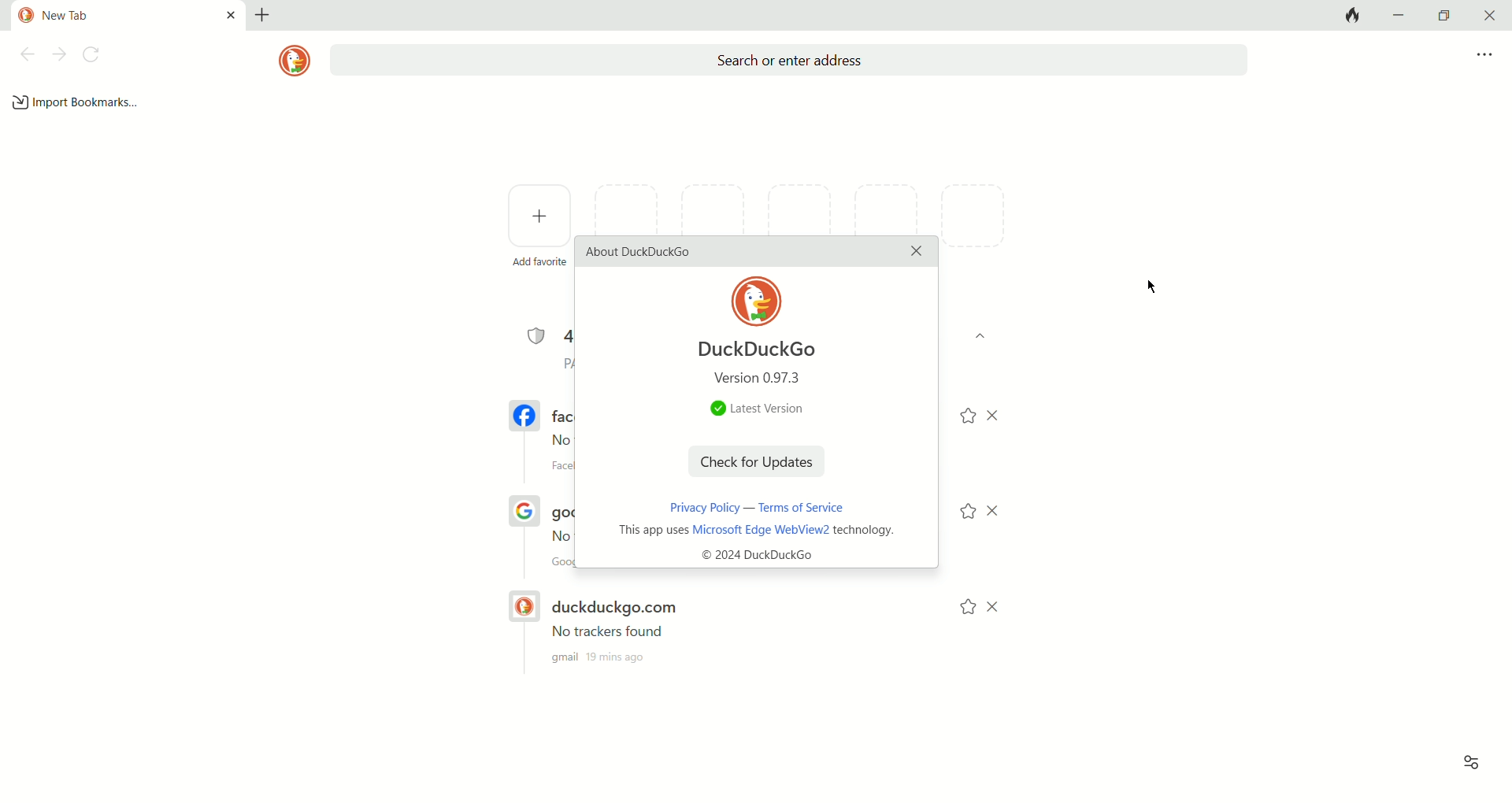  What do you see at coordinates (1490, 14) in the screenshot?
I see `close` at bounding box center [1490, 14].